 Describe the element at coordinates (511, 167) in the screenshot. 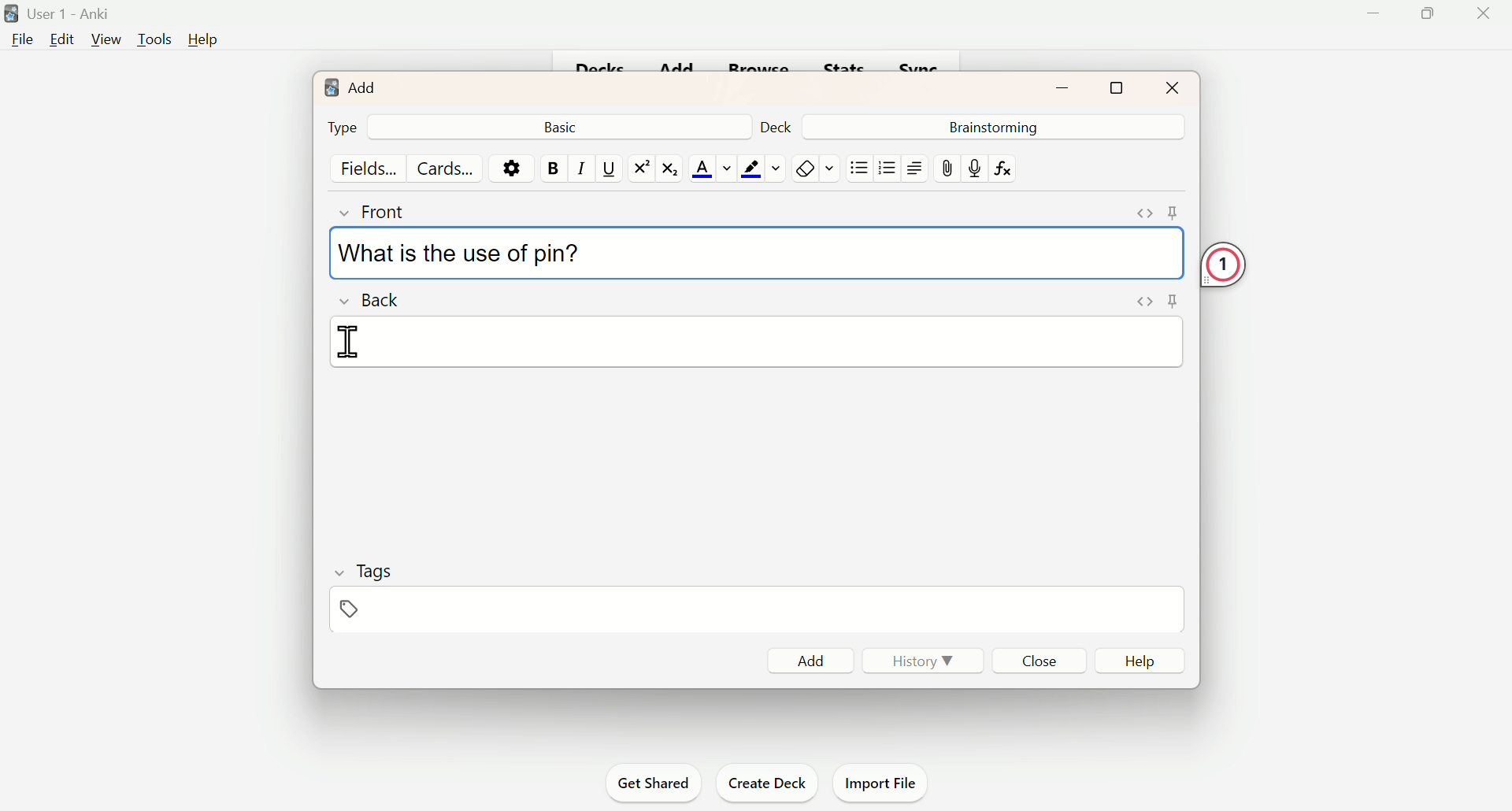

I see `Options` at that location.